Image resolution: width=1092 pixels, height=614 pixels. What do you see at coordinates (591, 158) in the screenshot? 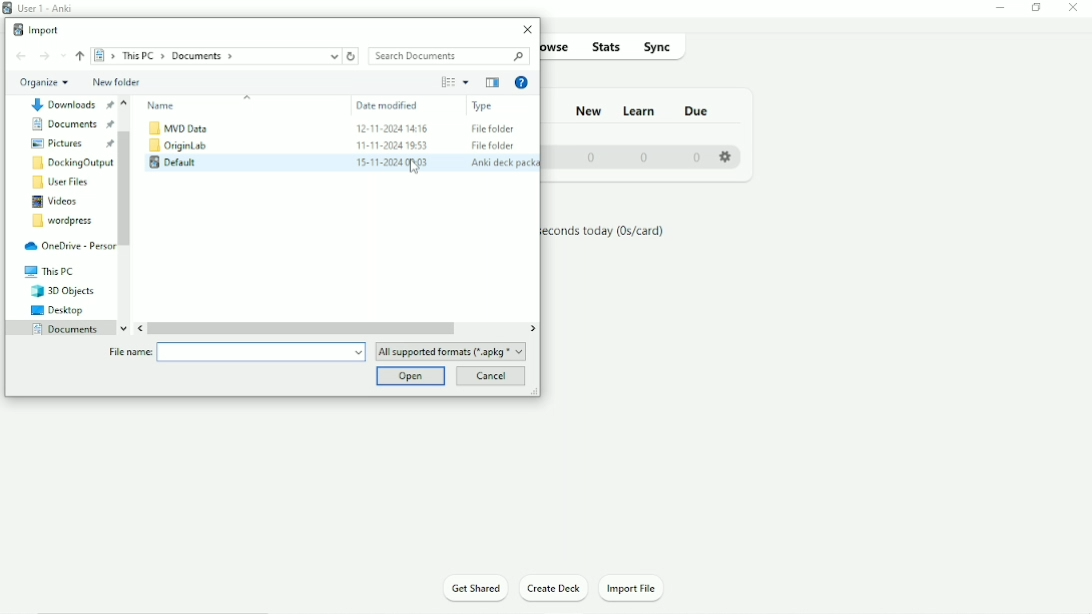
I see `0` at bounding box center [591, 158].